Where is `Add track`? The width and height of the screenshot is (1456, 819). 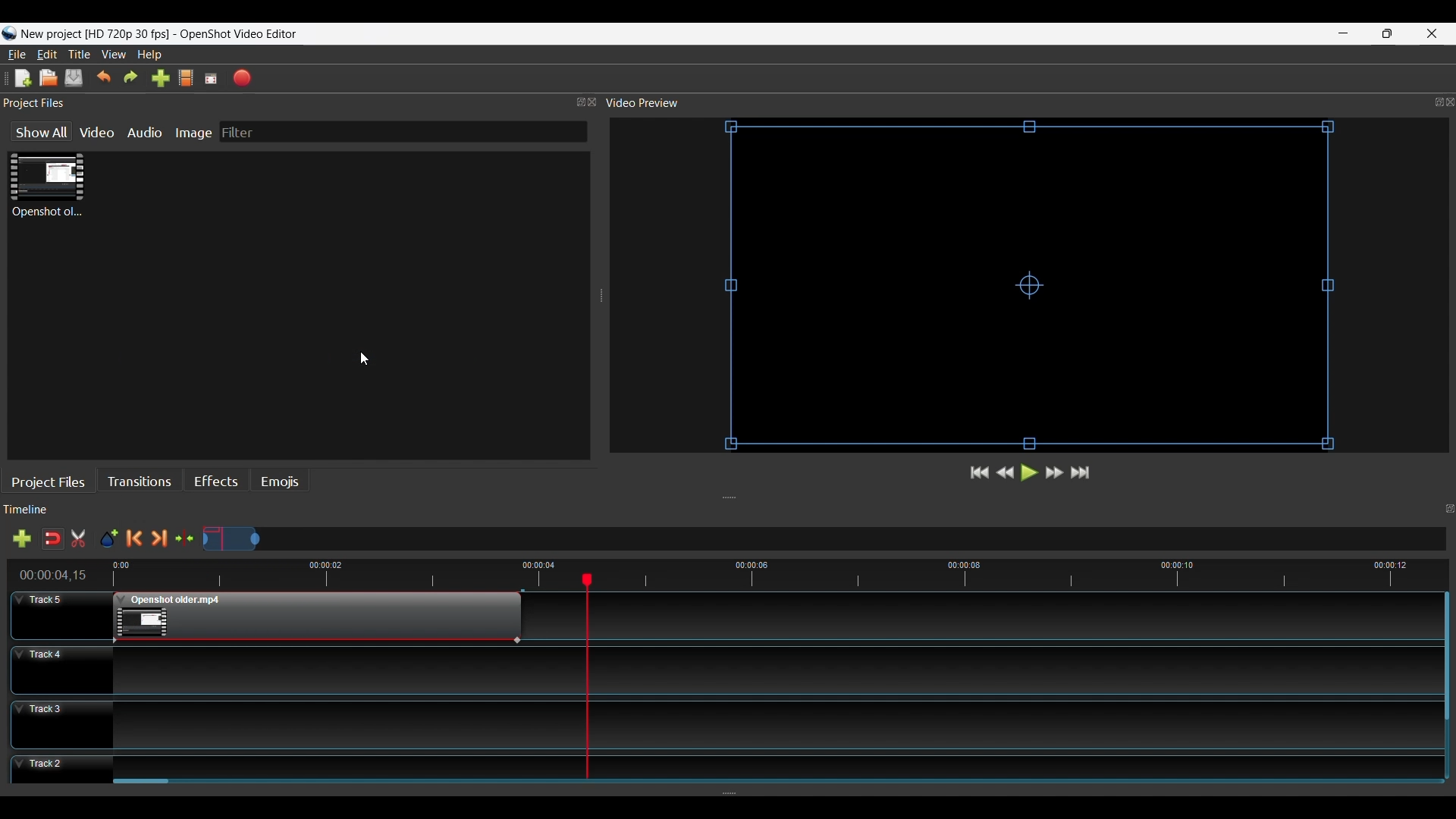
Add track is located at coordinates (19, 540).